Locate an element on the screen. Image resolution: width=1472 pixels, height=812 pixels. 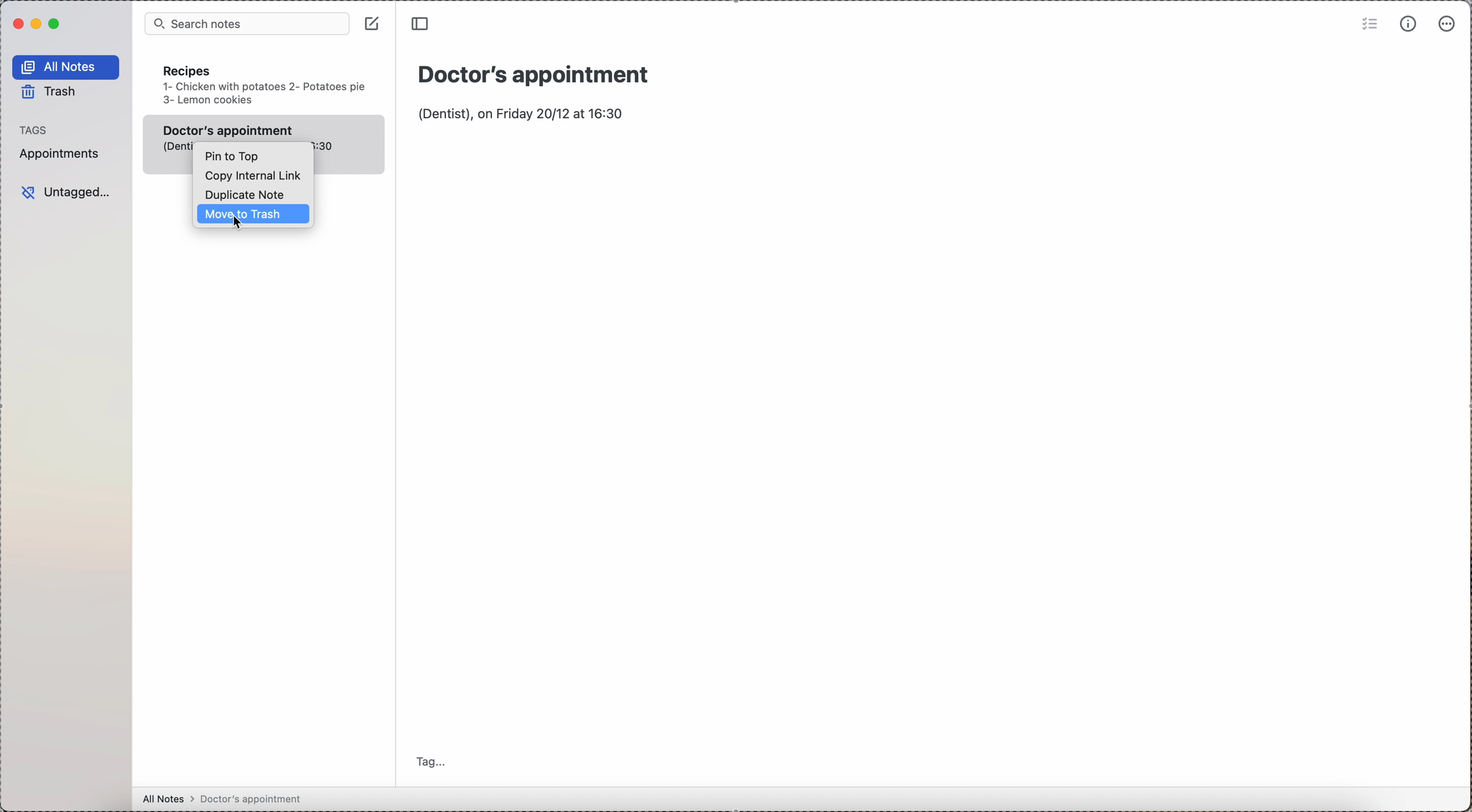
more options is located at coordinates (1447, 25).